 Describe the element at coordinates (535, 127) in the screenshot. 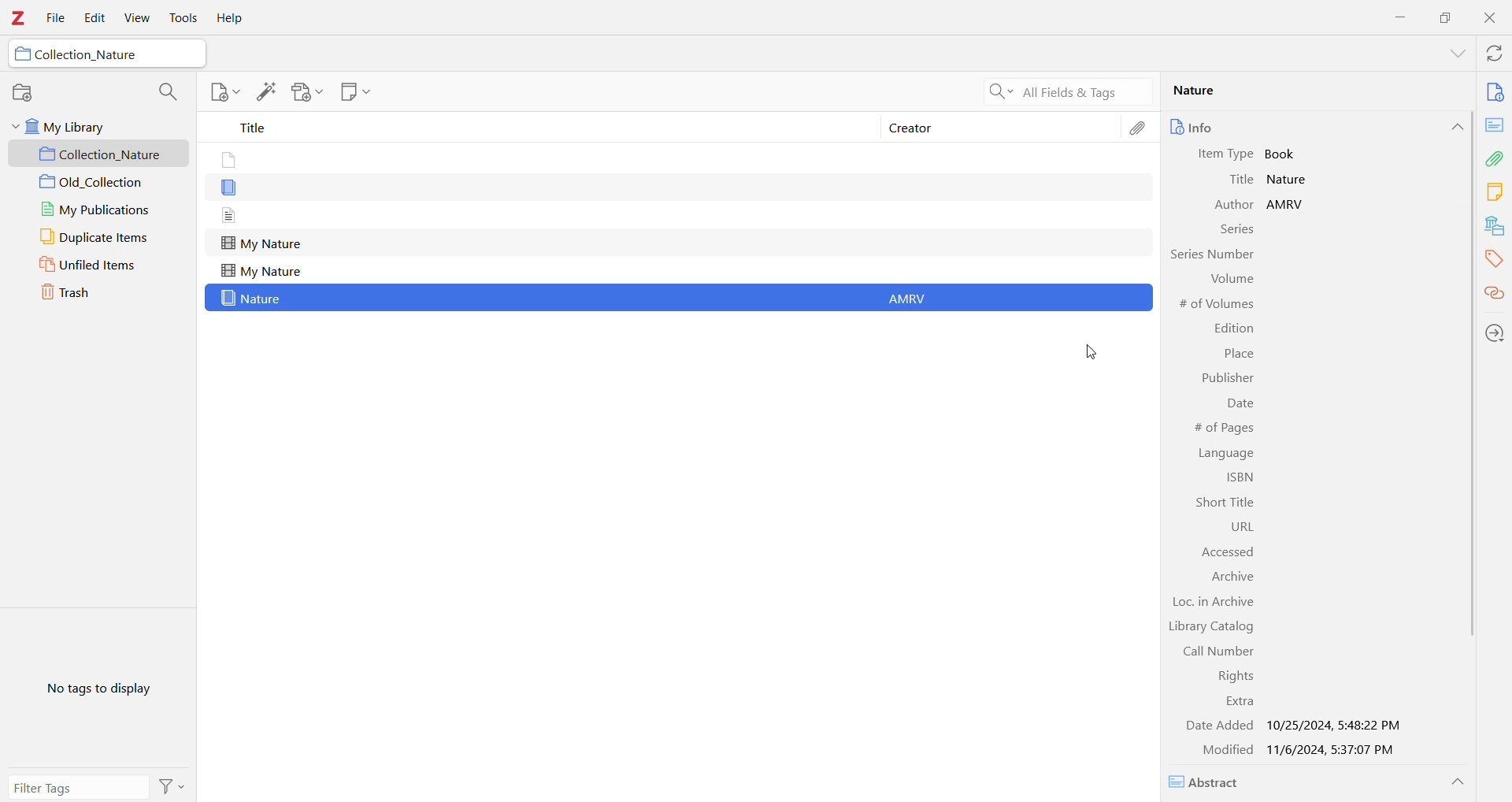

I see `Title` at that location.